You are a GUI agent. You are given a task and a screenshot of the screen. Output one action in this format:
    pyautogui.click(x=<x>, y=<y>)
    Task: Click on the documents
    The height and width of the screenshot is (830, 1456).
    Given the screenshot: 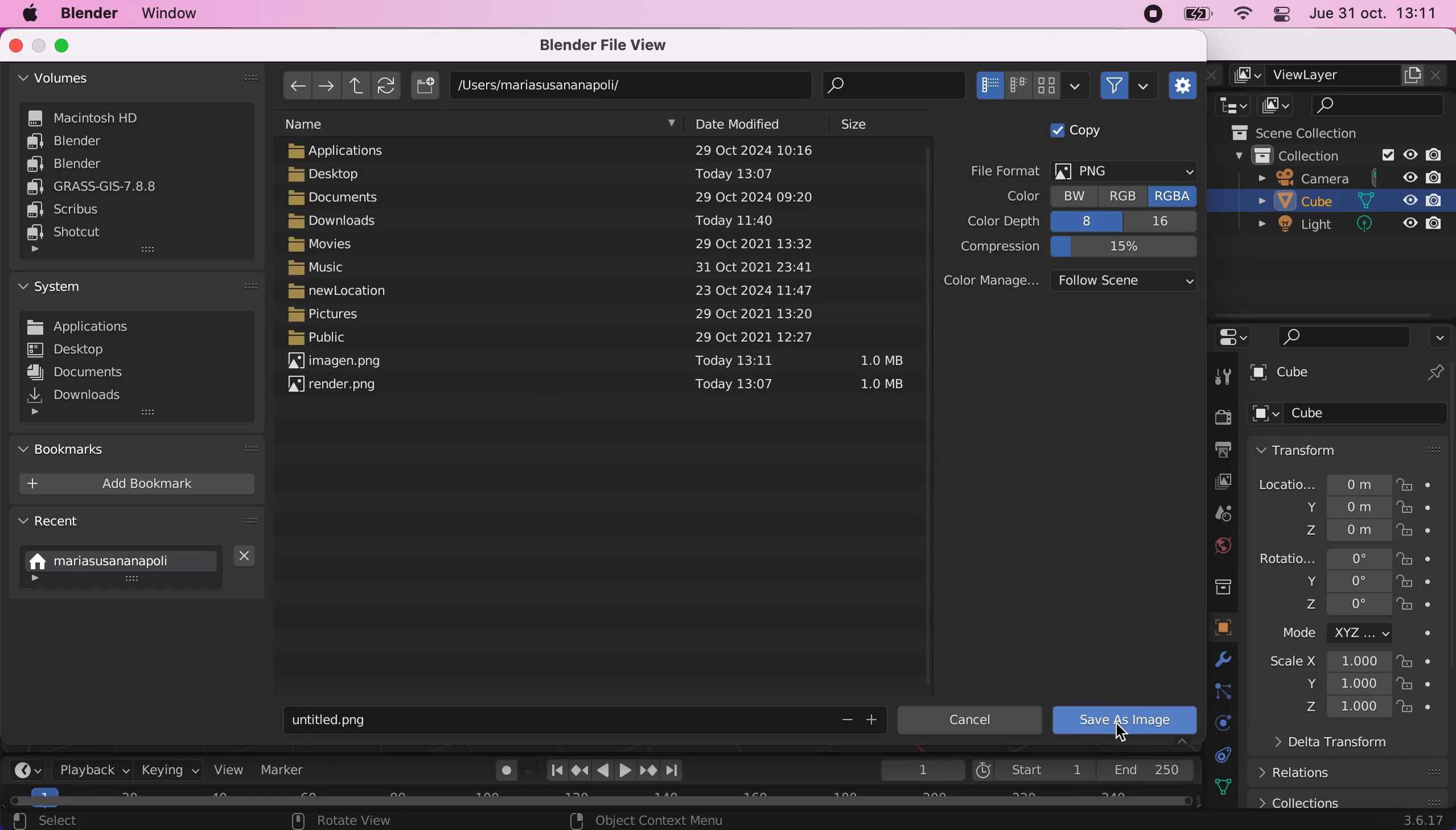 What is the action you would take?
    pyautogui.click(x=602, y=271)
    